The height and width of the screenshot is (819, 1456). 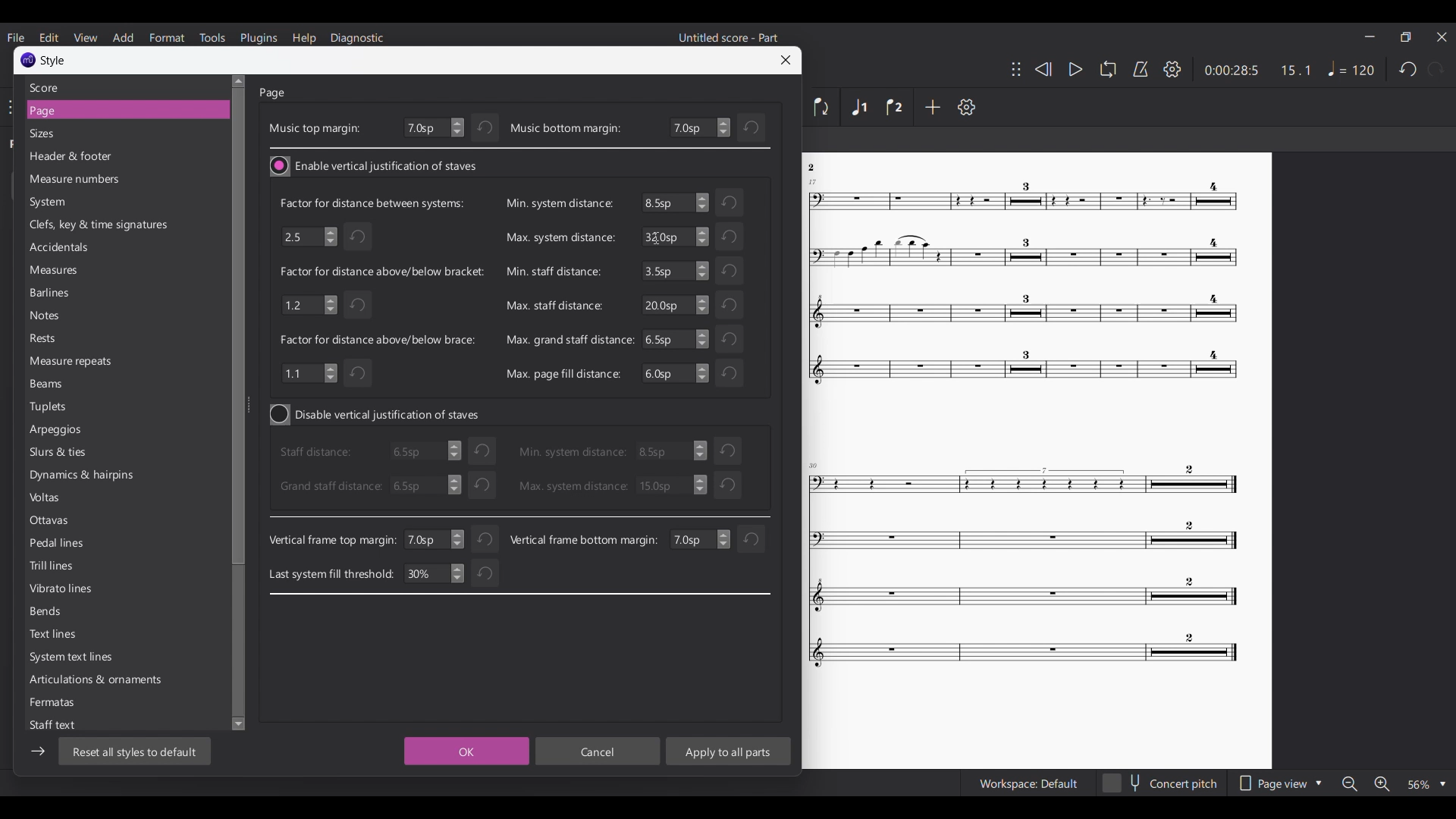 What do you see at coordinates (1160, 785) in the screenshot?
I see `concert pitch` at bounding box center [1160, 785].